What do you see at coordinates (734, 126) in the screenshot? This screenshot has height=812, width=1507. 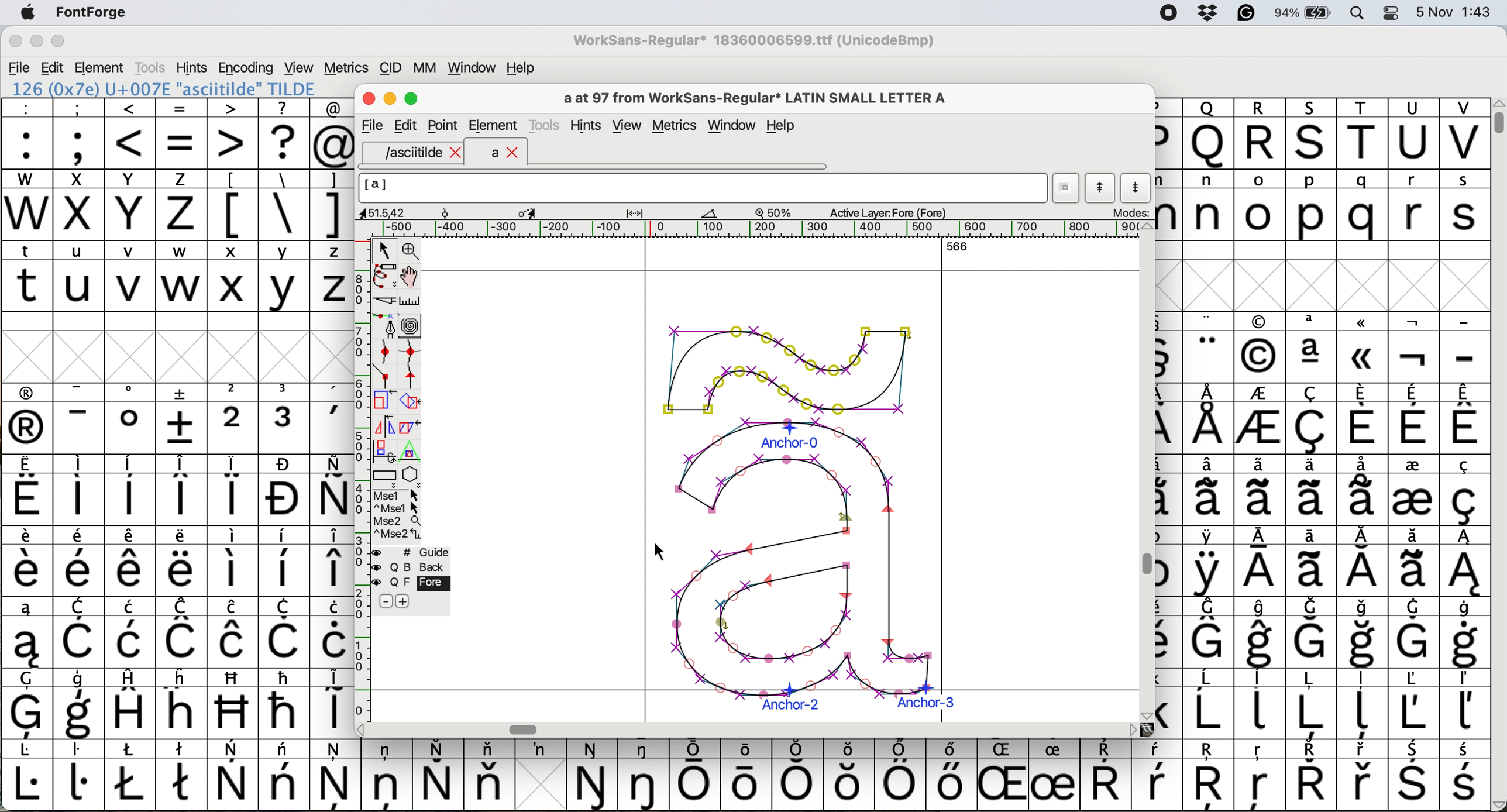 I see `window` at bounding box center [734, 126].